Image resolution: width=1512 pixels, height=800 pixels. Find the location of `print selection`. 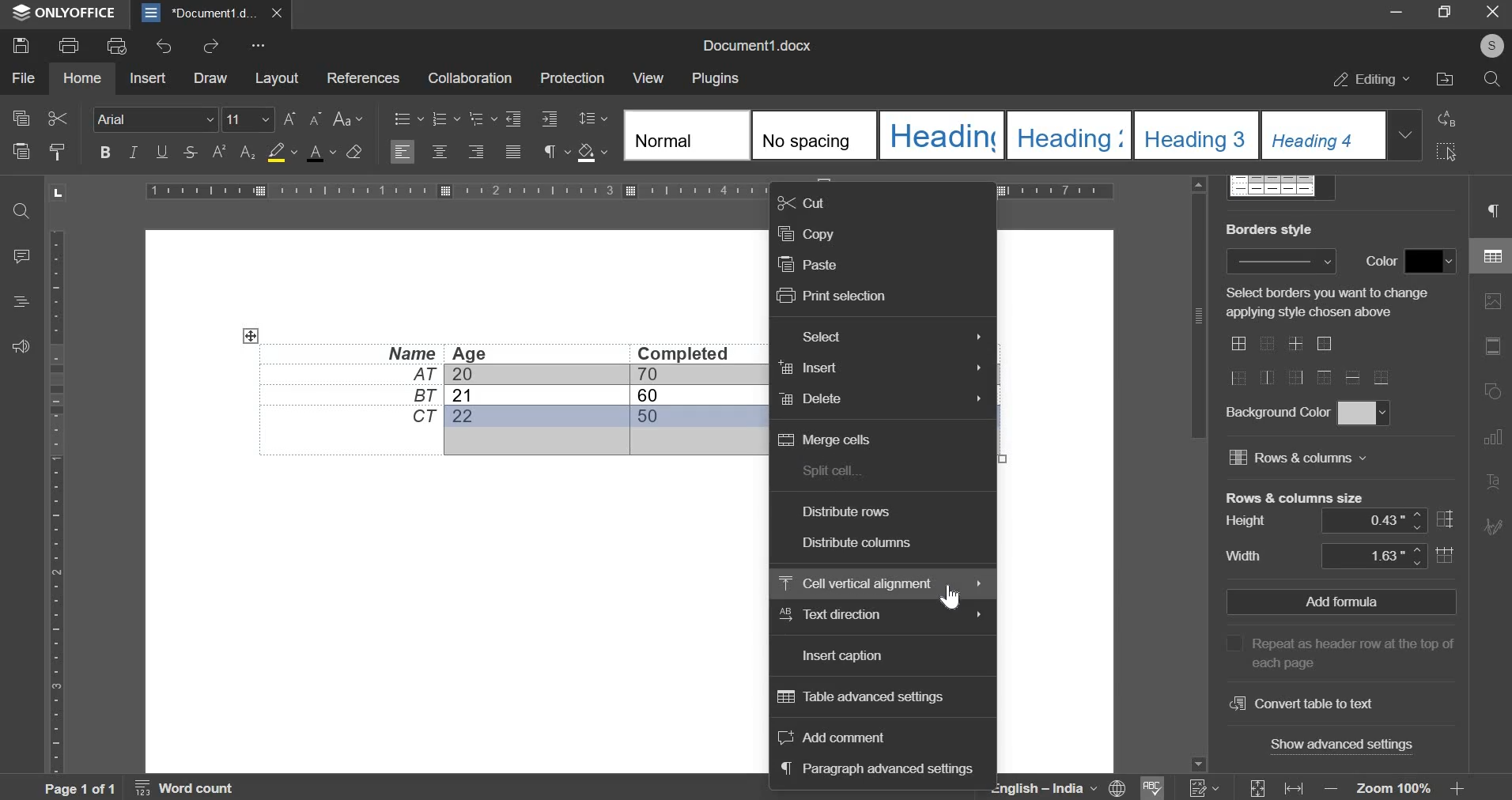

print selection is located at coordinates (832, 294).